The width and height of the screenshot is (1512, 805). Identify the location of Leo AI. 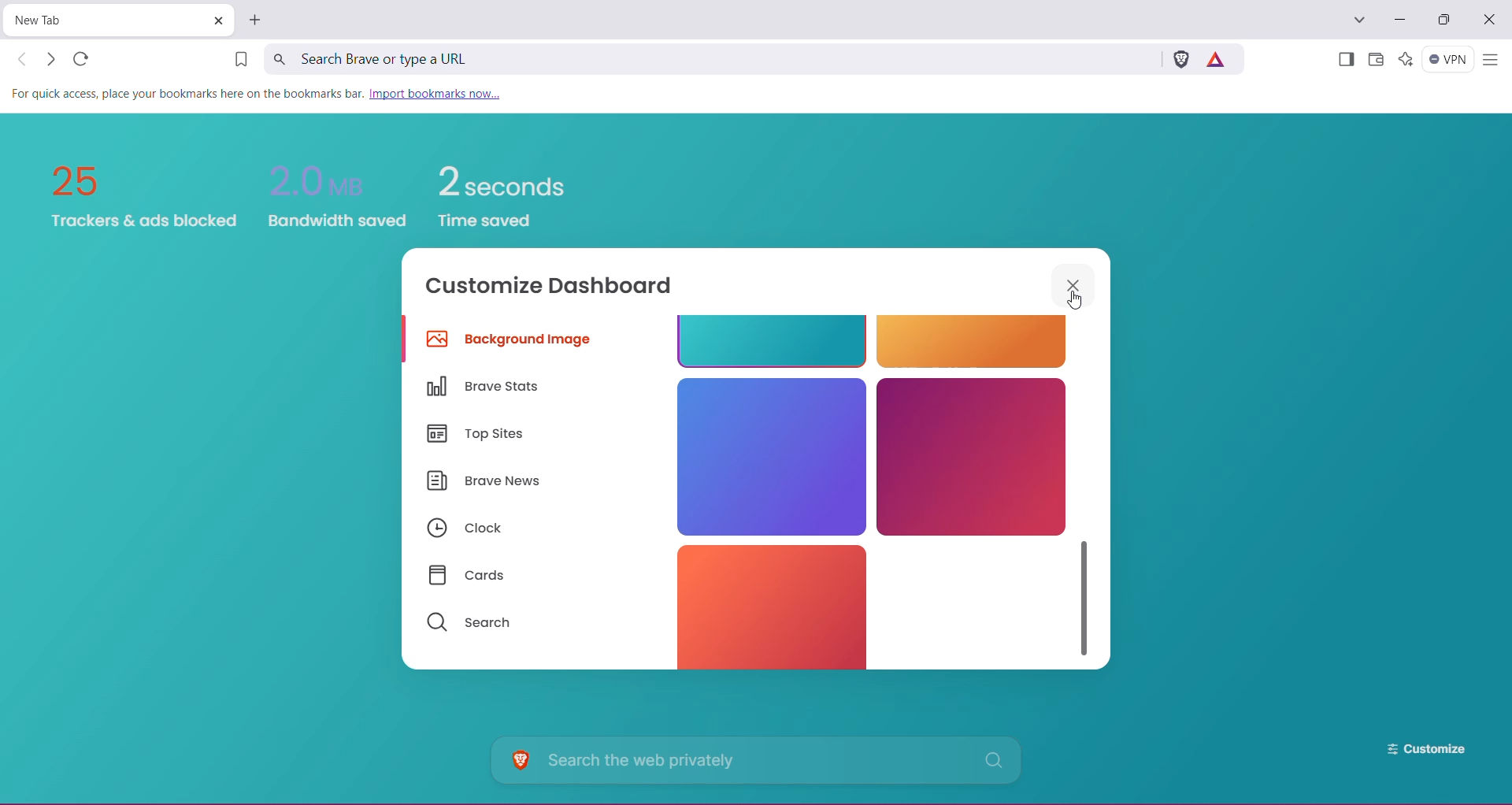
(1405, 59).